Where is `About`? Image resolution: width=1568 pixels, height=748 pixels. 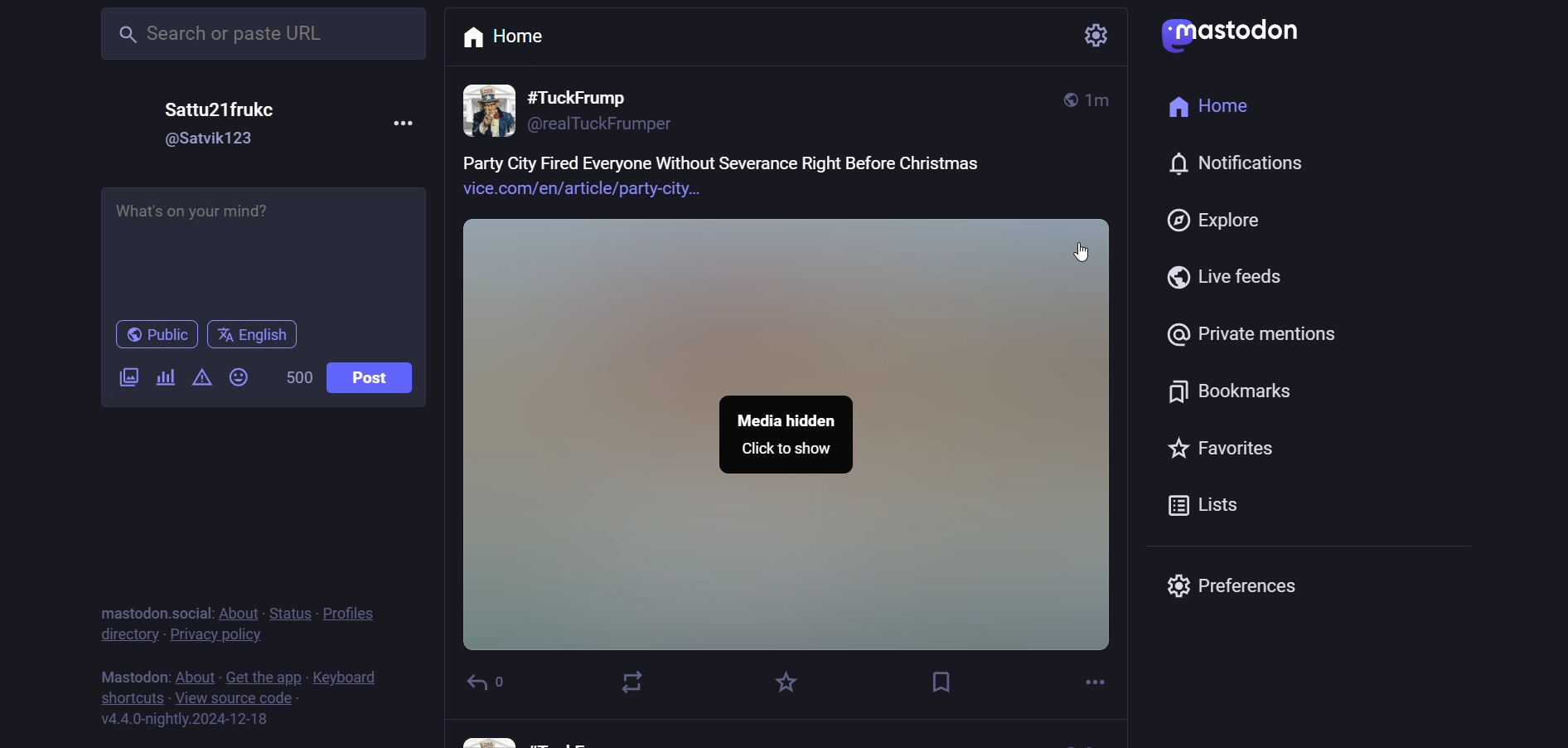
About is located at coordinates (195, 673).